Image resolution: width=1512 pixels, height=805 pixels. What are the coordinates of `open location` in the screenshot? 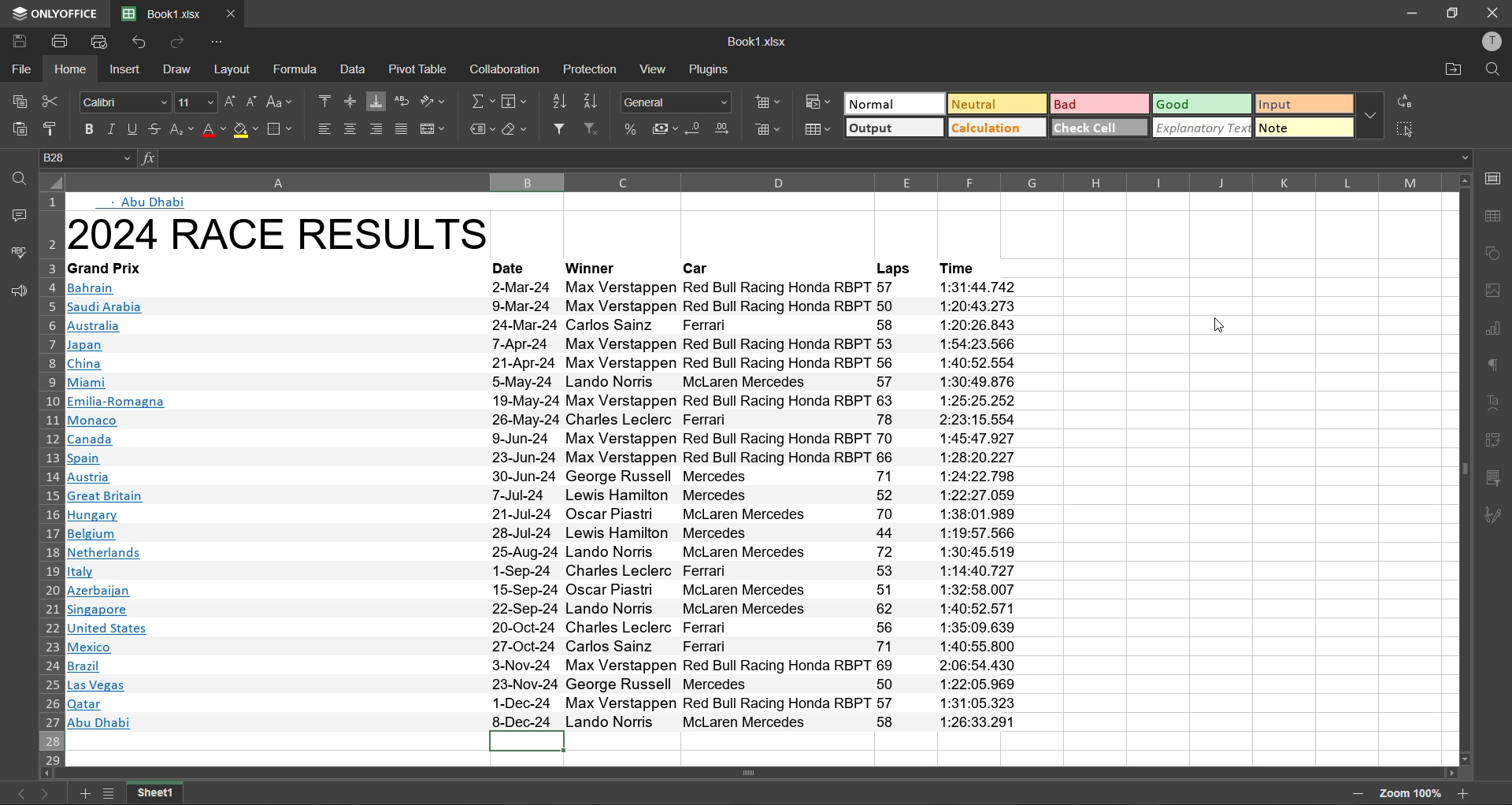 It's located at (1451, 71).